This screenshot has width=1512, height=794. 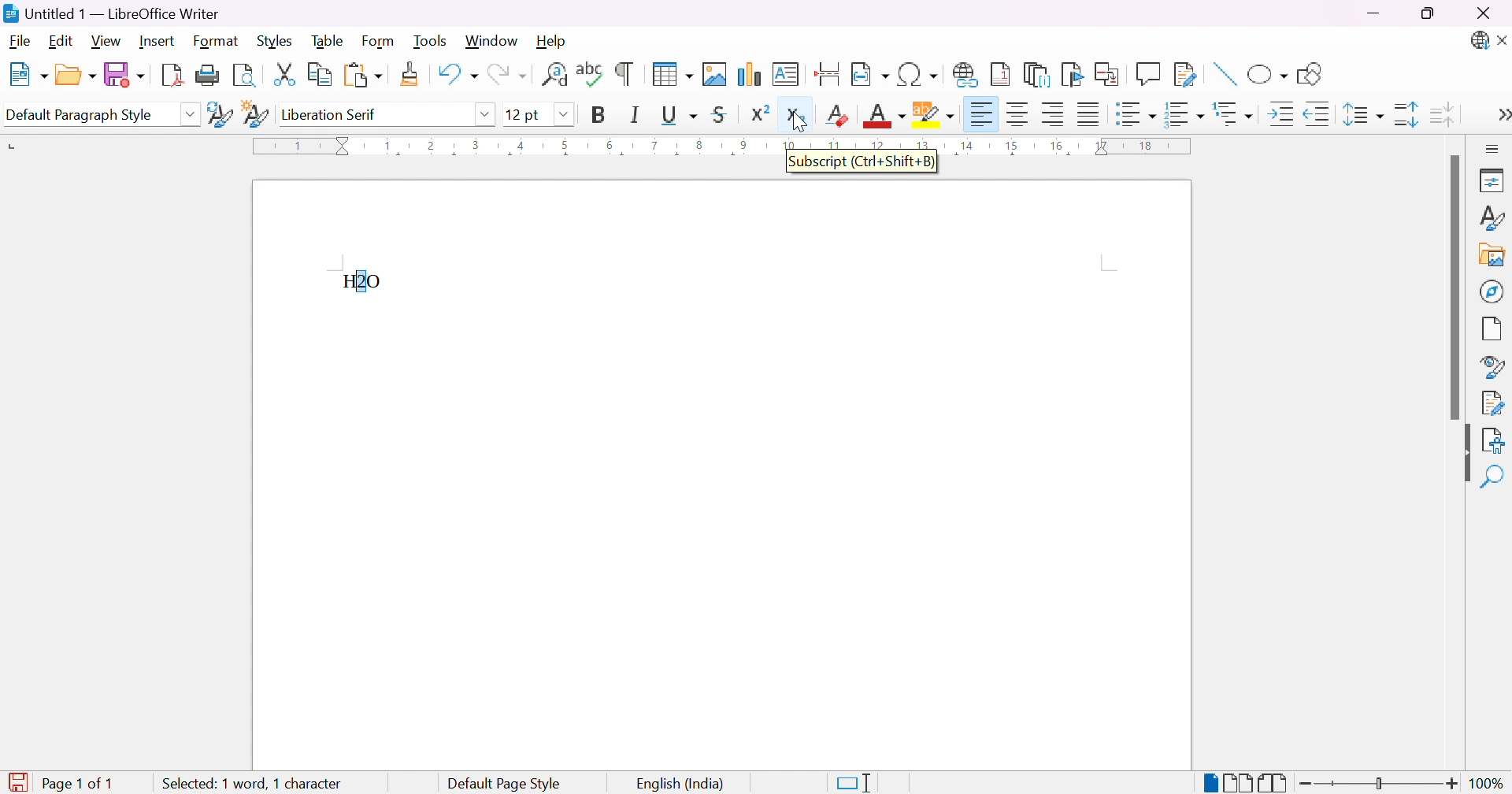 I want to click on Insert table, so click(x=672, y=73).